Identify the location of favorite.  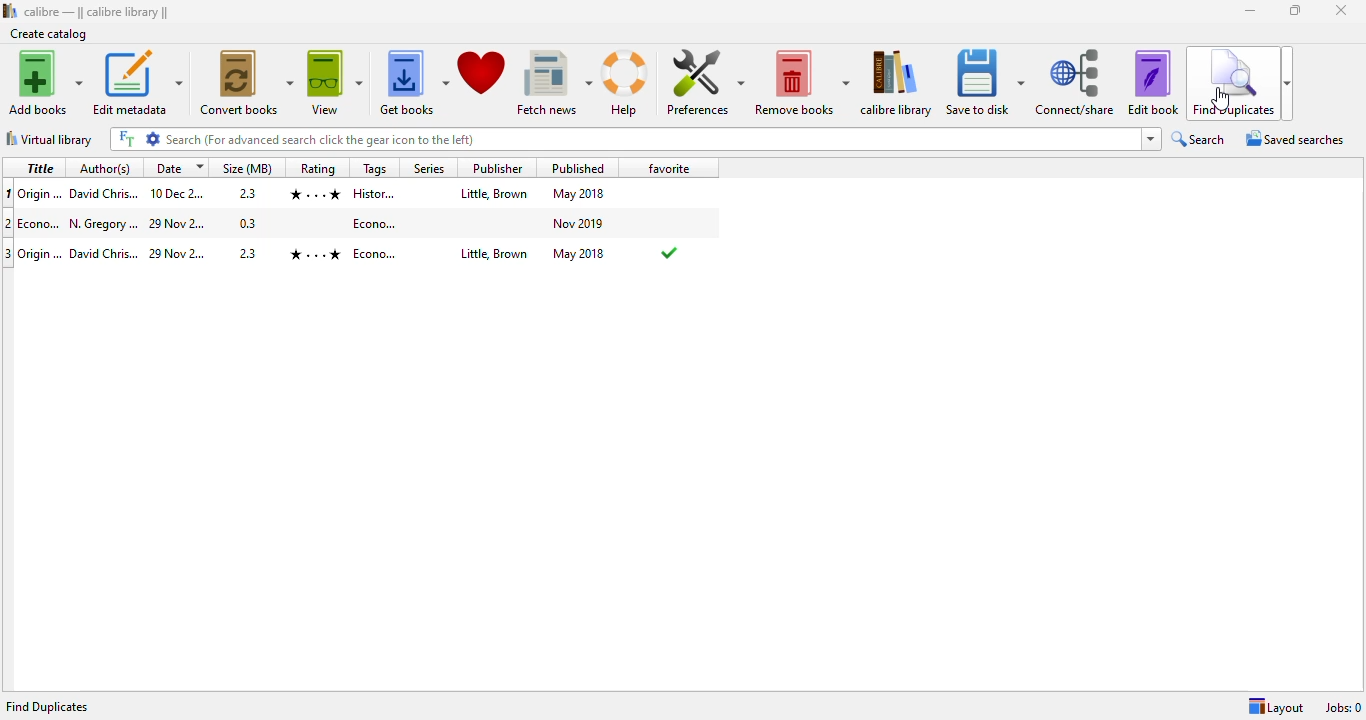
(672, 167).